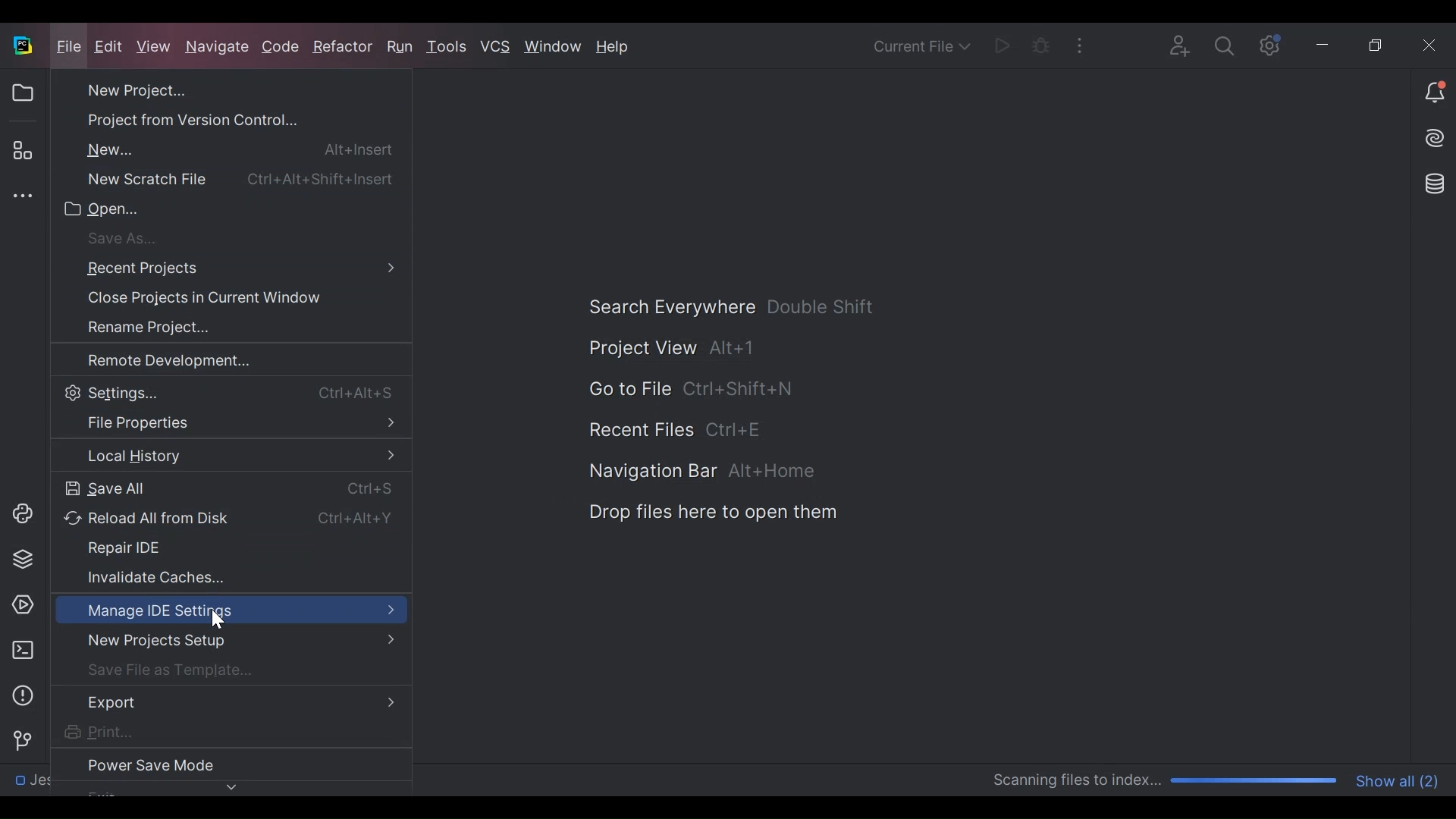 Image resolution: width=1456 pixels, height=819 pixels. Describe the element at coordinates (224, 489) in the screenshot. I see `Save All` at that location.